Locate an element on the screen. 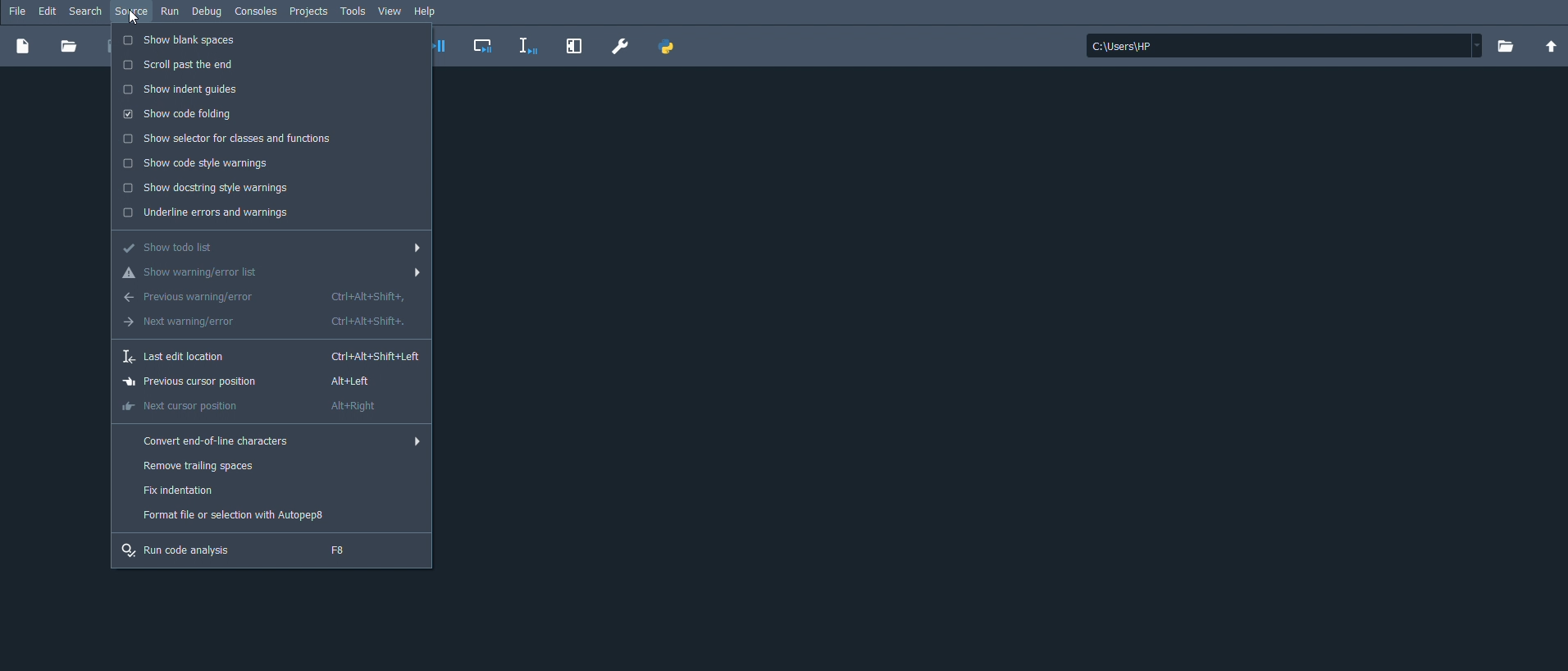 The width and height of the screenshot is (1568, 671). Scroll past the end is located at coordinates (184, 65).